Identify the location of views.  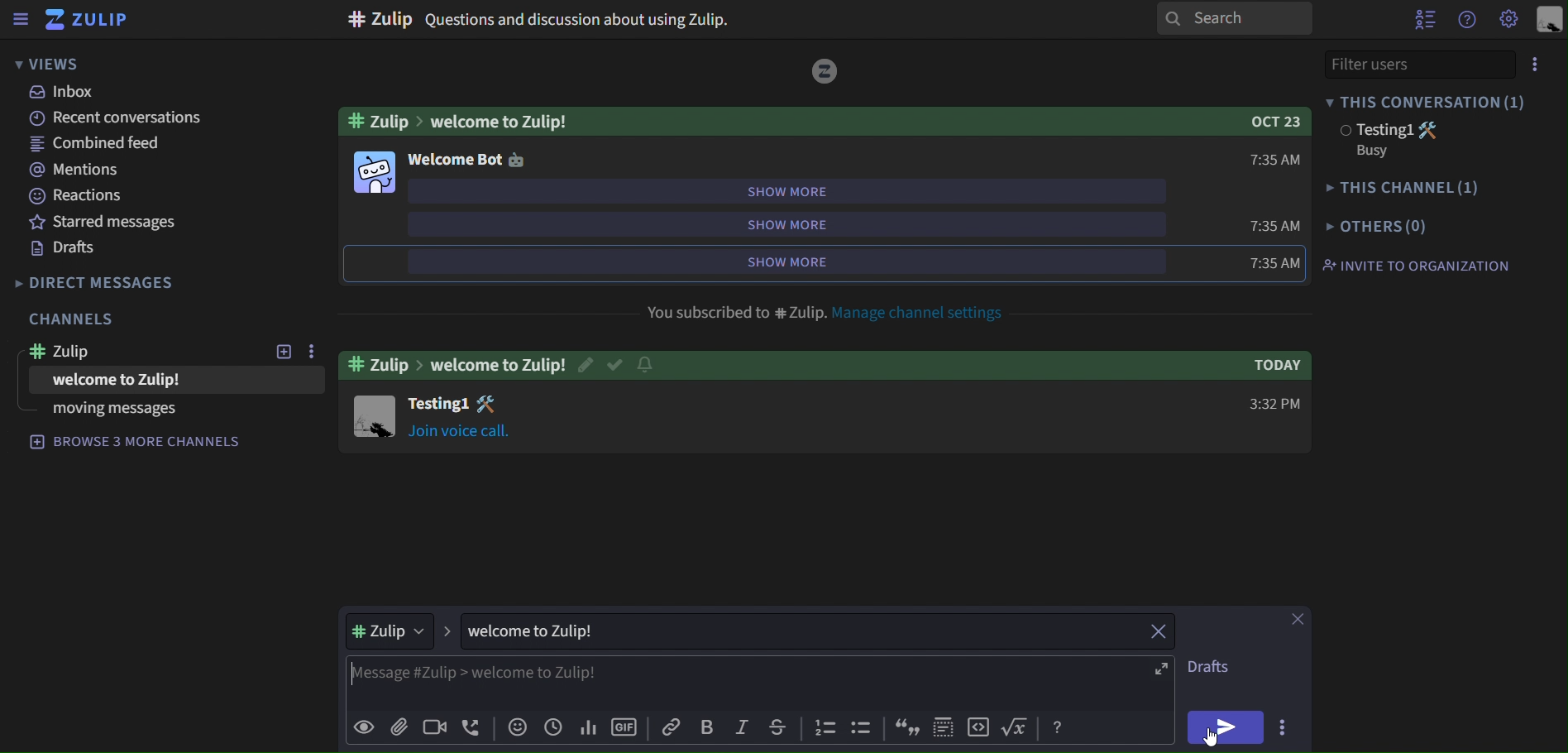
(48, 63).